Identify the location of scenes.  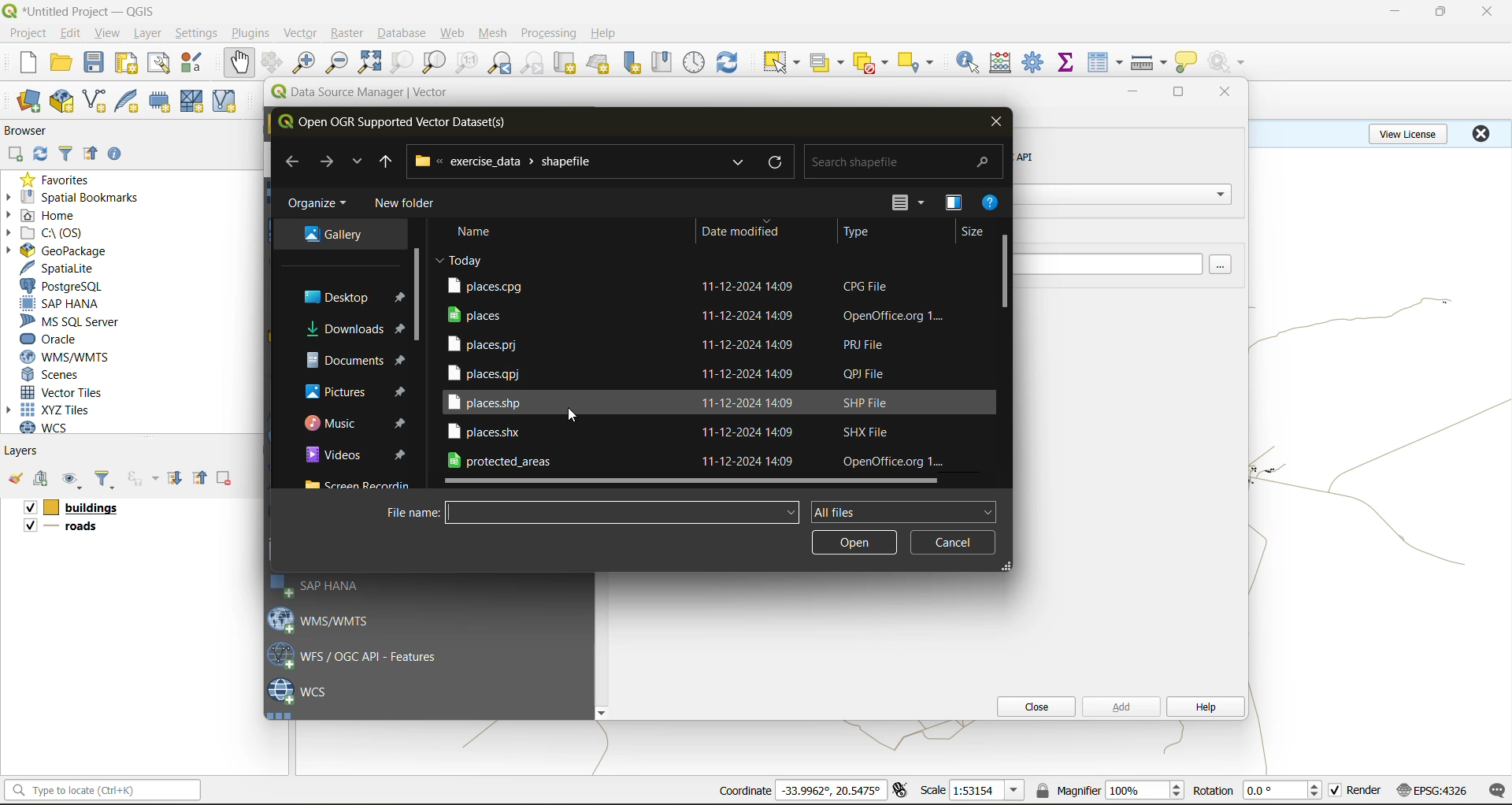
(52, 375).